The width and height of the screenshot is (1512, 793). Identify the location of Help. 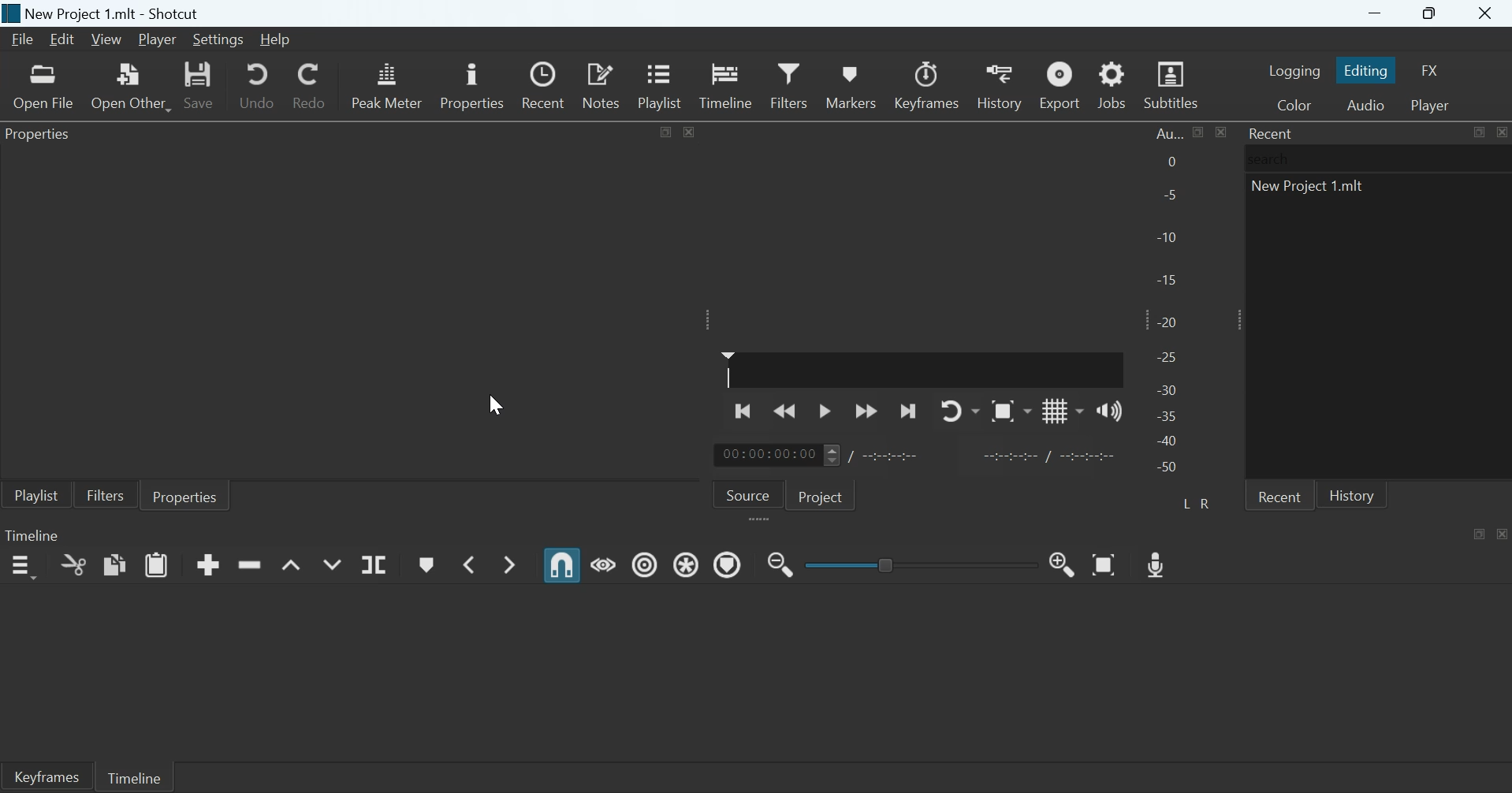
(274, 39).